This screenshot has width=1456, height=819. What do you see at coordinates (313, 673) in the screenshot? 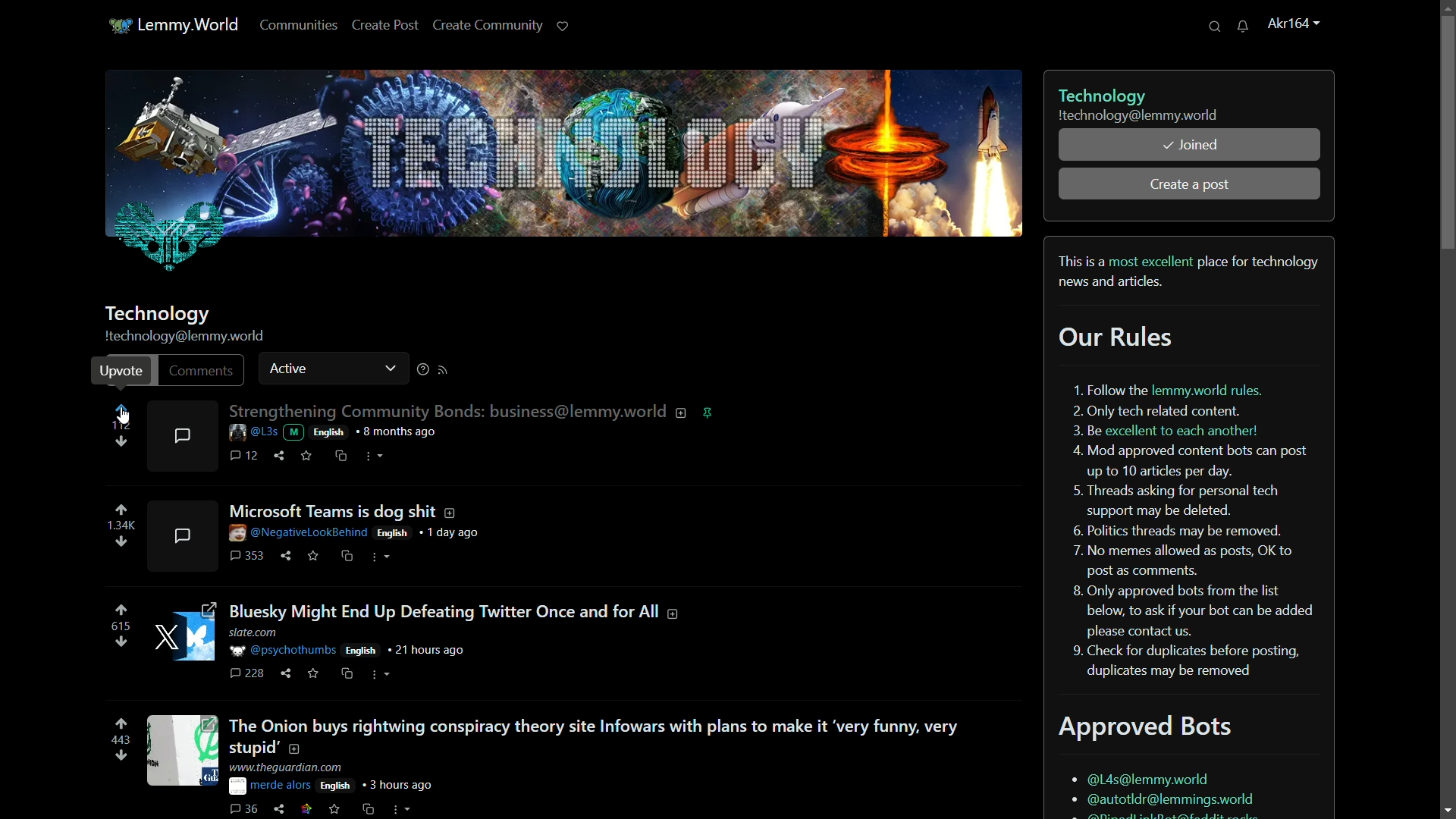
I see `save` at bounding box center [313, 673].